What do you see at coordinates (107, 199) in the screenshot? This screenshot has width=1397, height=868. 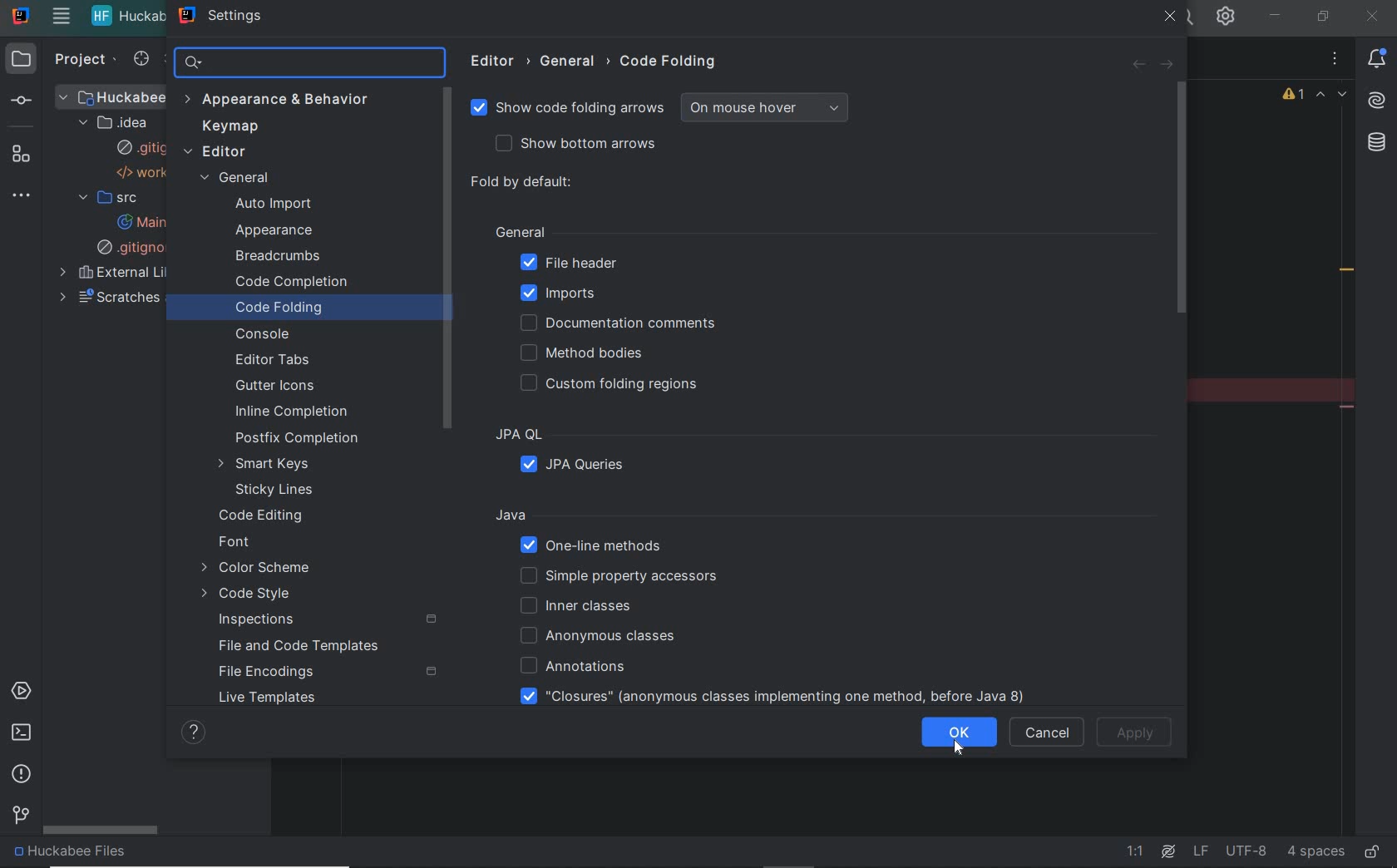 I see `src` at bounding box center [107, 199].